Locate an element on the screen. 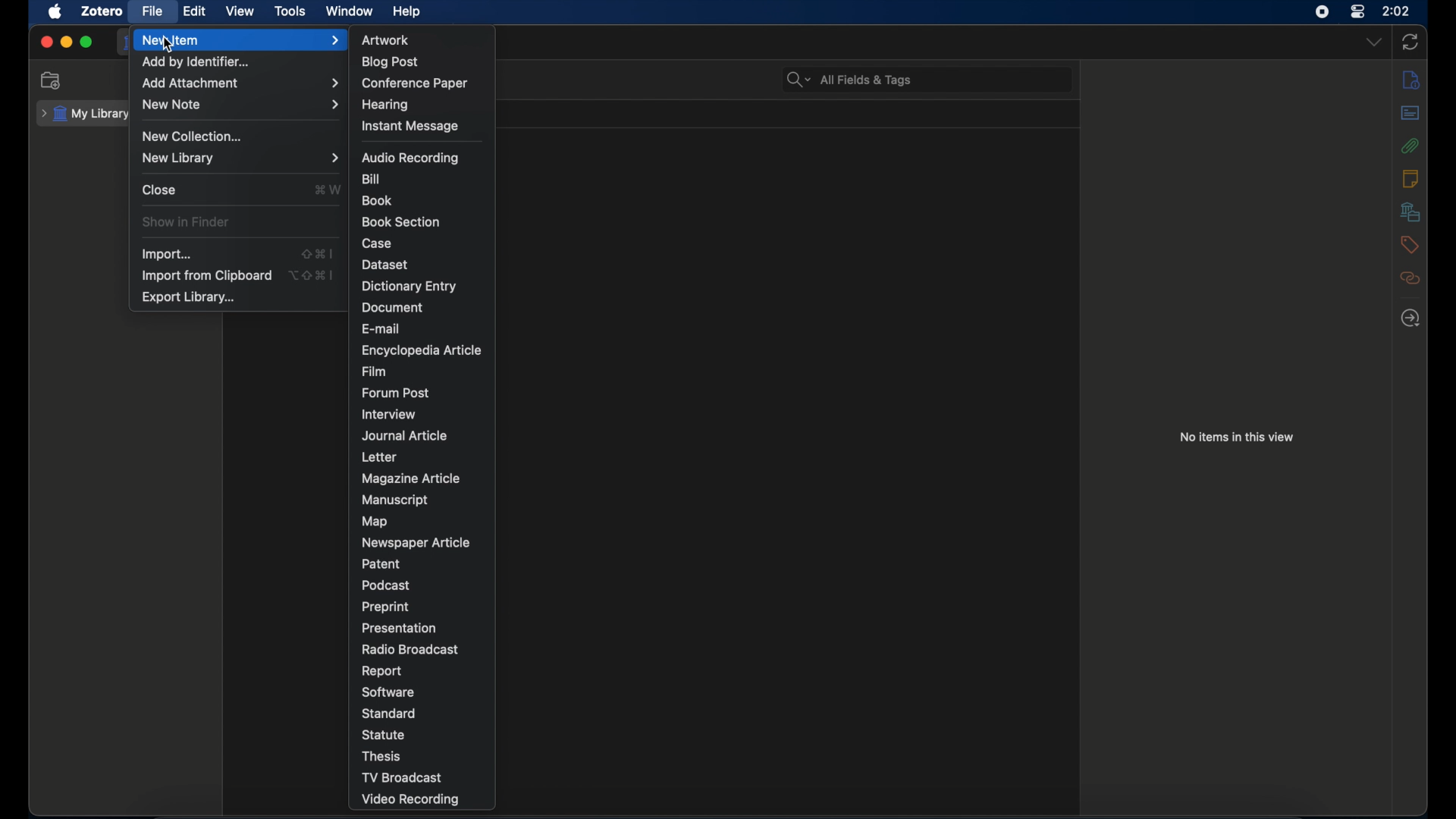  film is located at coordinates (376, 372).